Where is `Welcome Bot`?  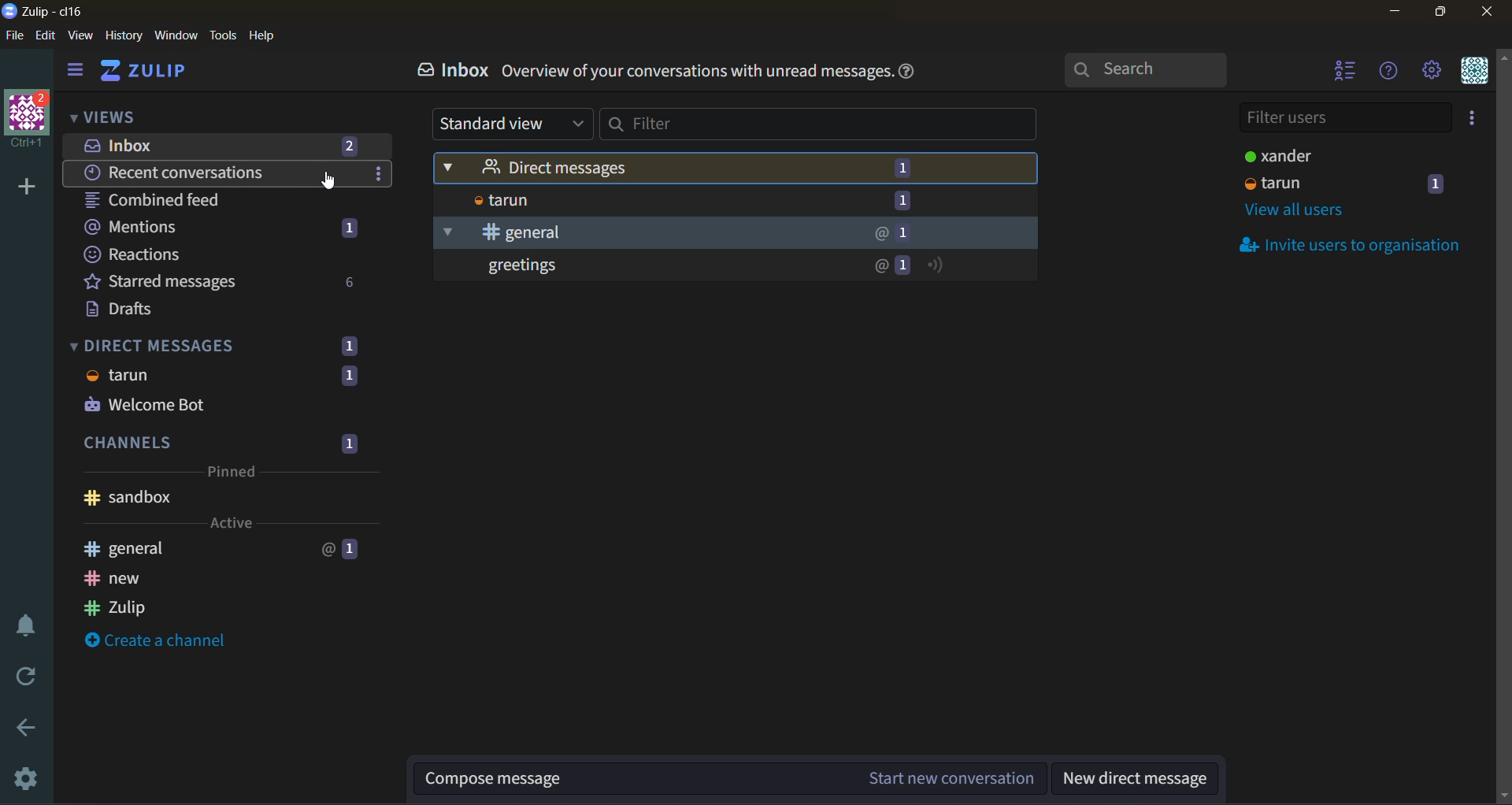 Welcome Bot is located at coordinates (223, 406).